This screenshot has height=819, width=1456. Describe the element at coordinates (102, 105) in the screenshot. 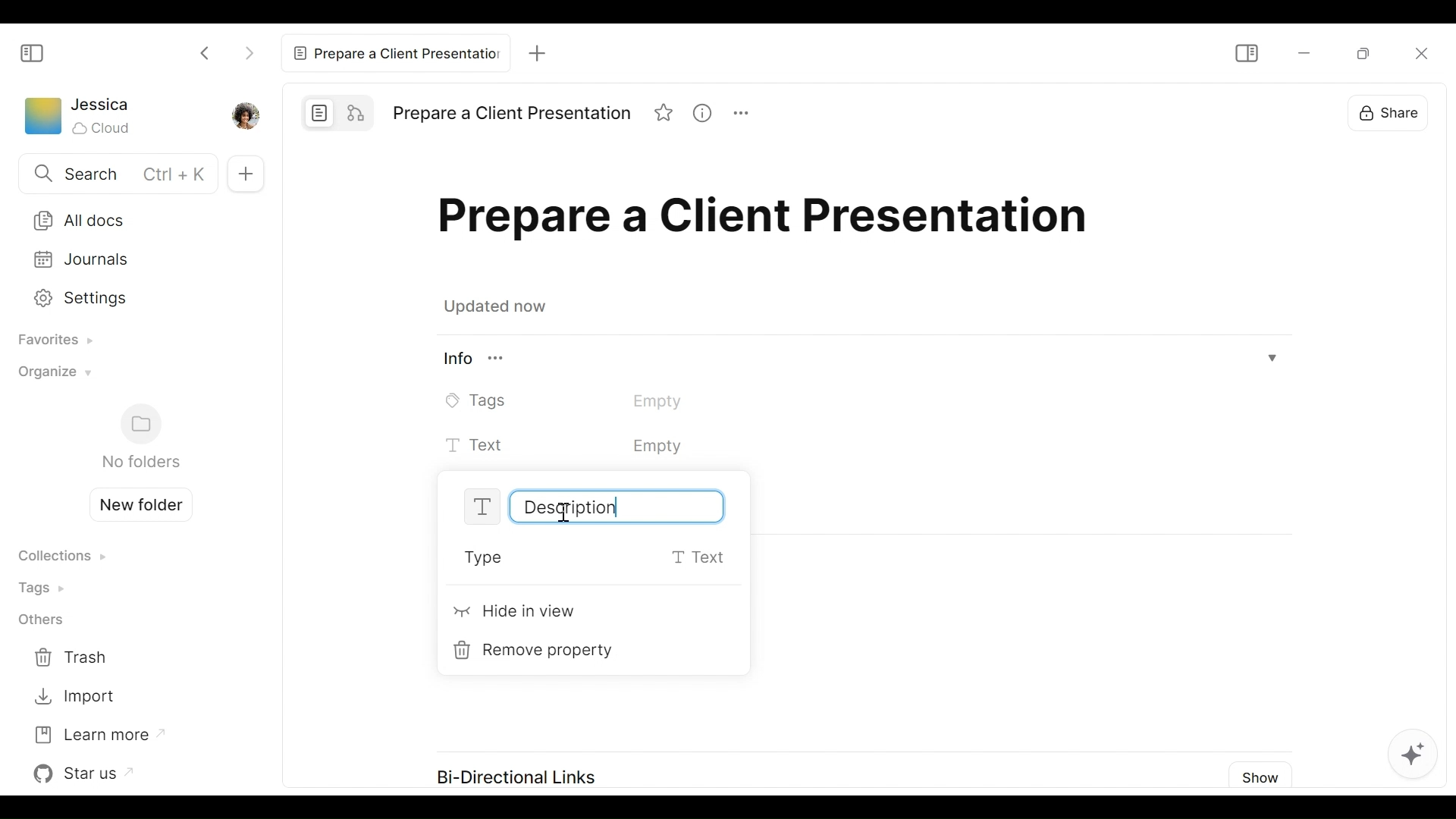

I see `Username` at that location.